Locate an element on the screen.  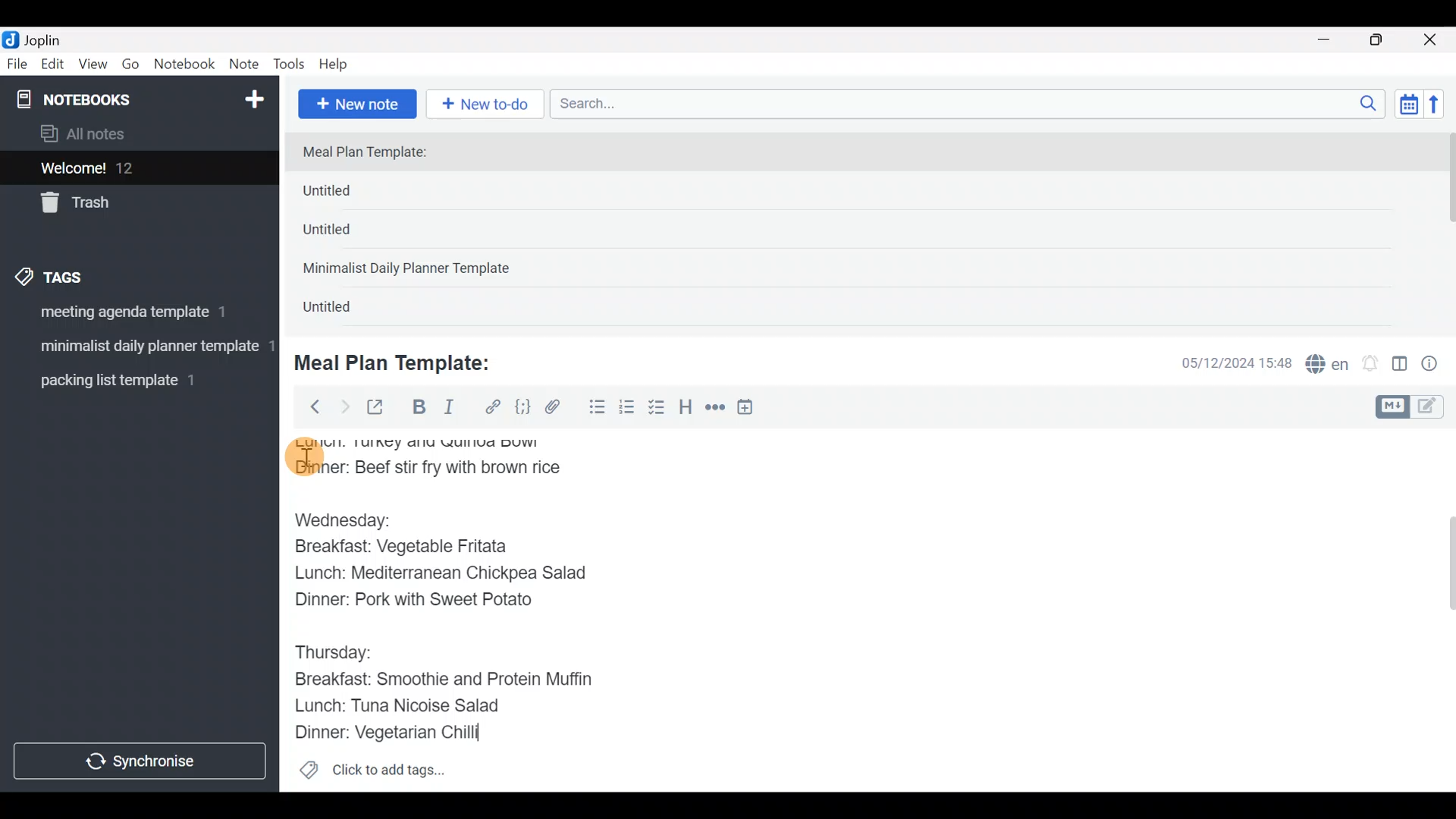
Lunch: Mediterranean Chickpea Salad is located at coordinates (451, 576).